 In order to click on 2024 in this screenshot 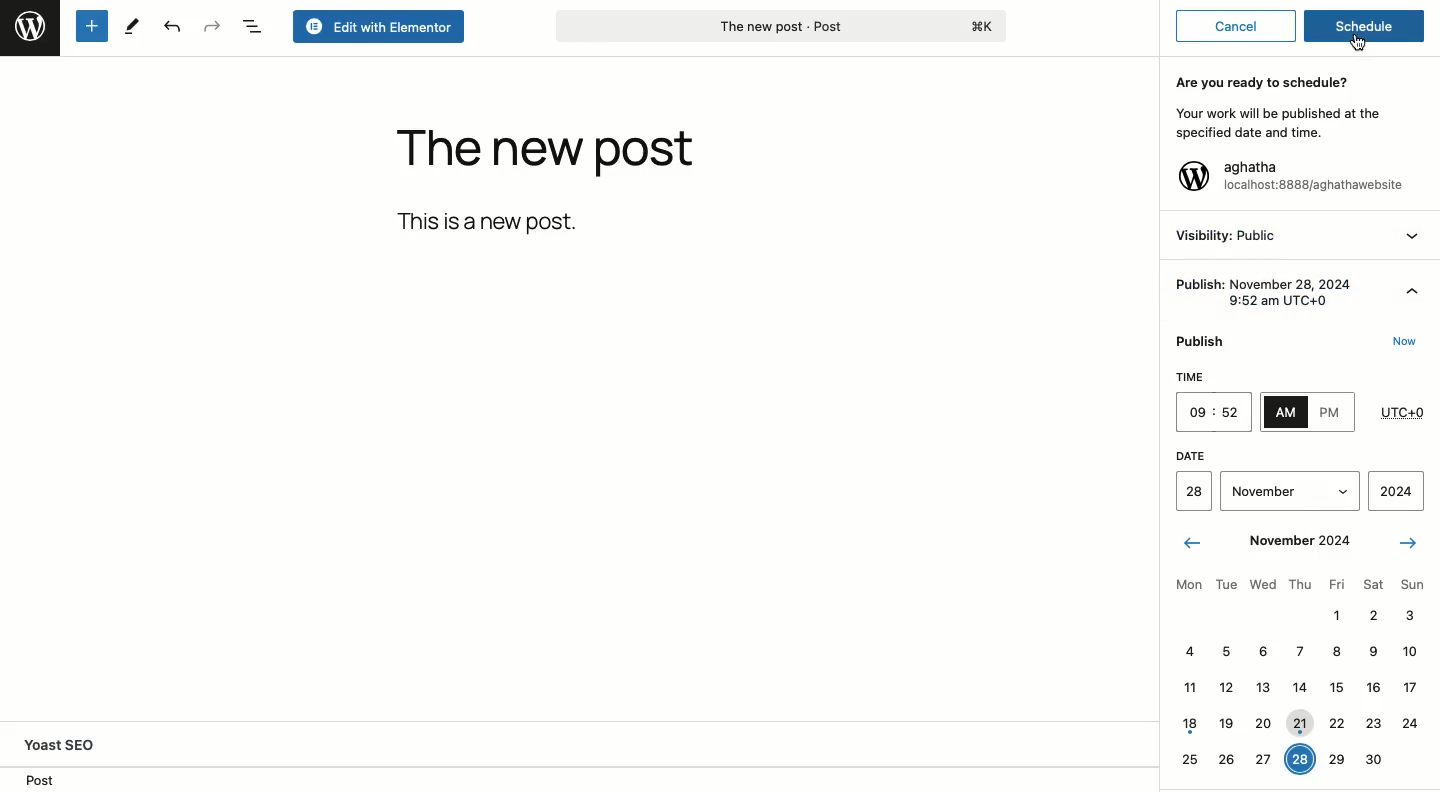, I will do `click(1397, 489)`.